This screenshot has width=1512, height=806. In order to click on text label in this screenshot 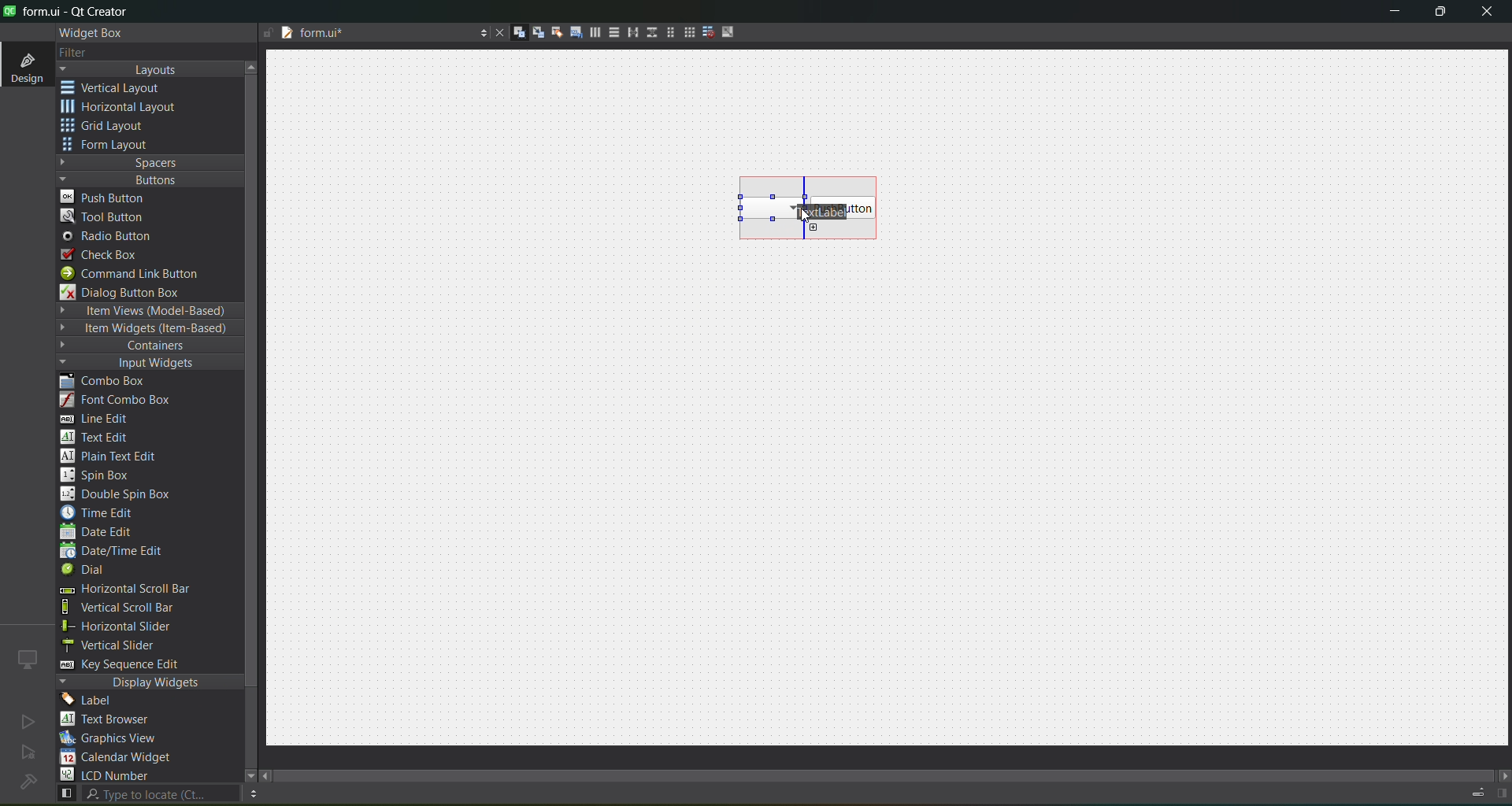, I will do `click(816, 210)`.